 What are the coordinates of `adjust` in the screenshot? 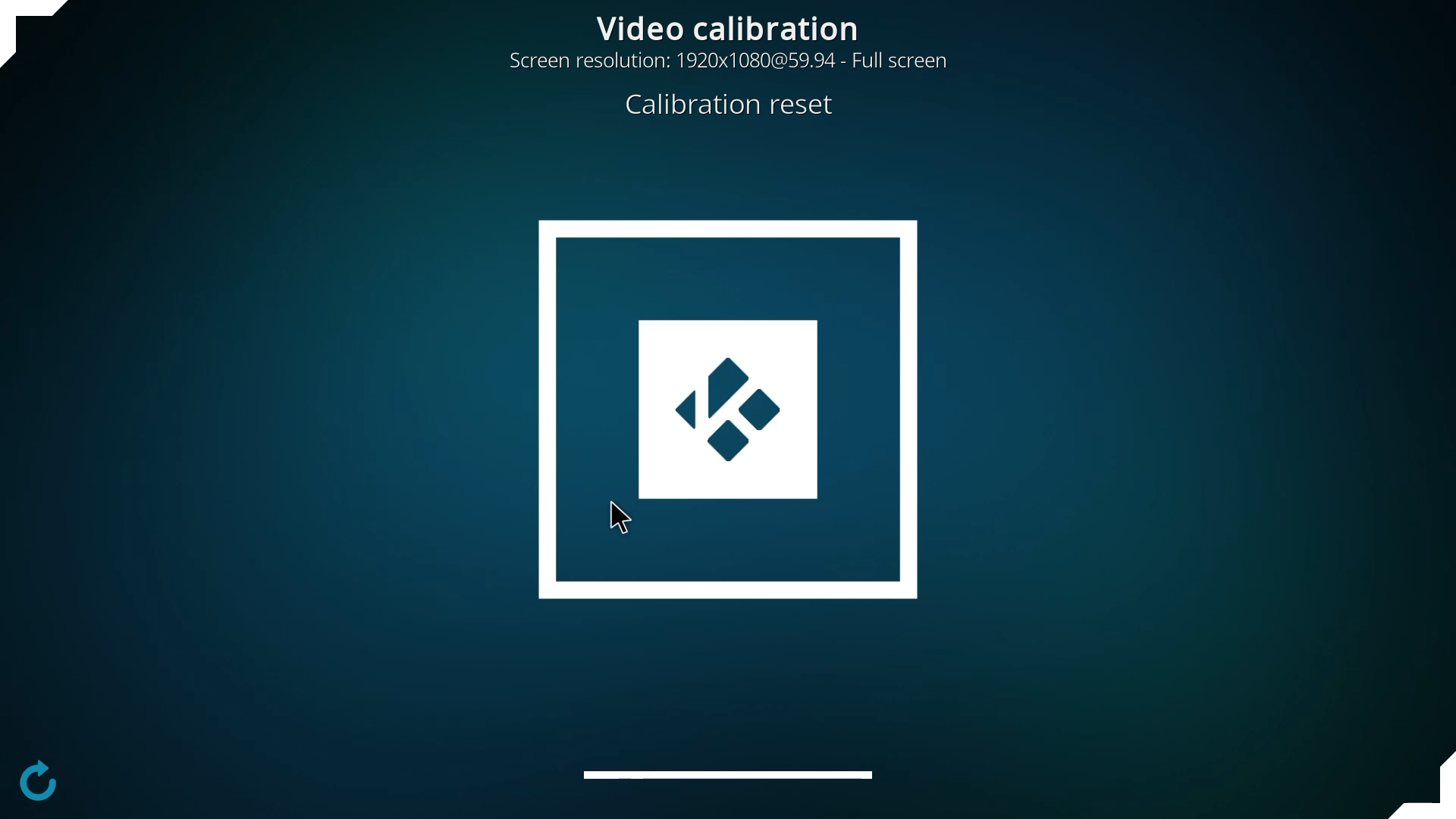 It's located at (1417, 783).